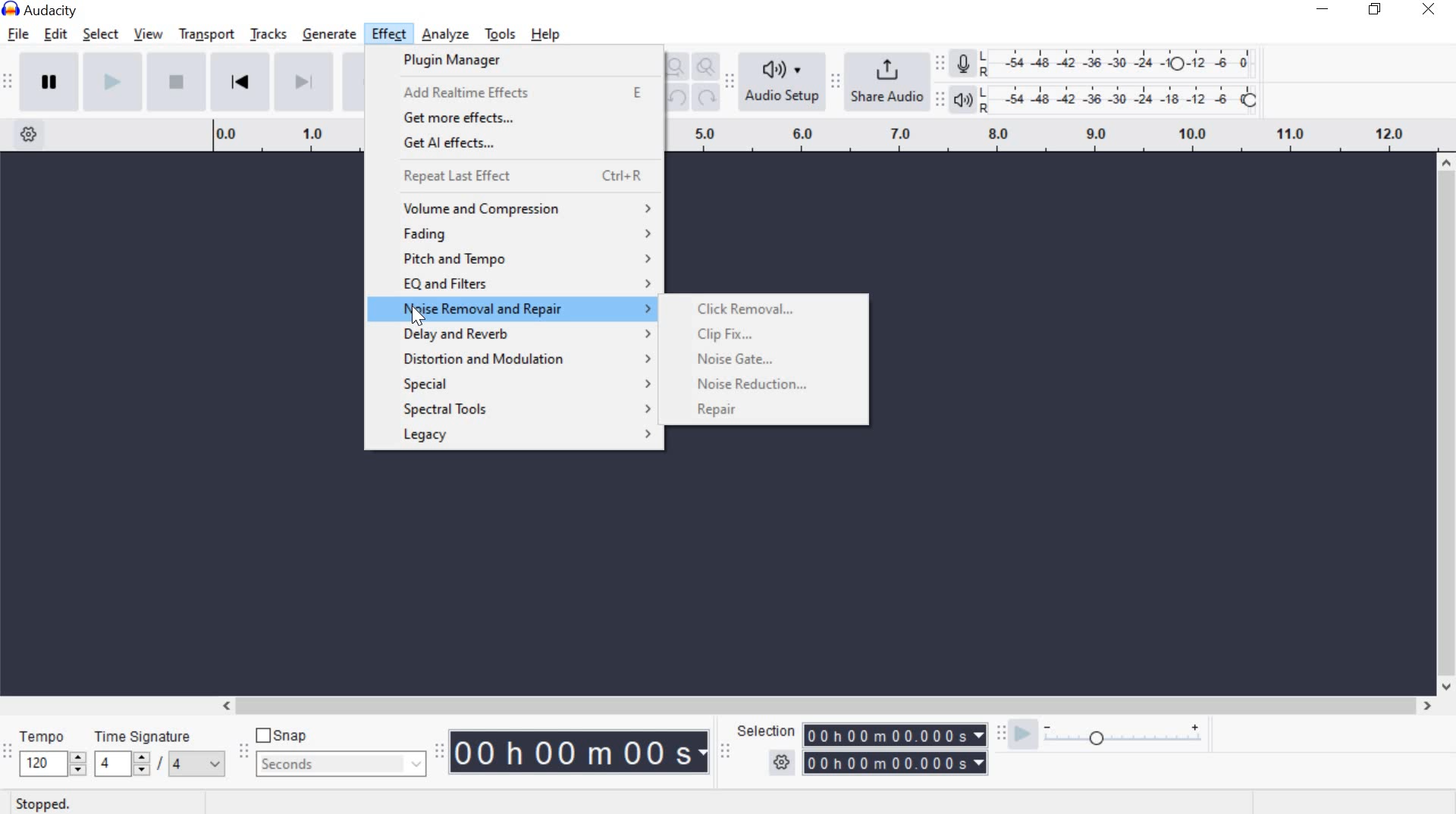 Image resolution: width=1456 pixels, height=814 pixels. I want to click on noise gate, so click(739, 359).